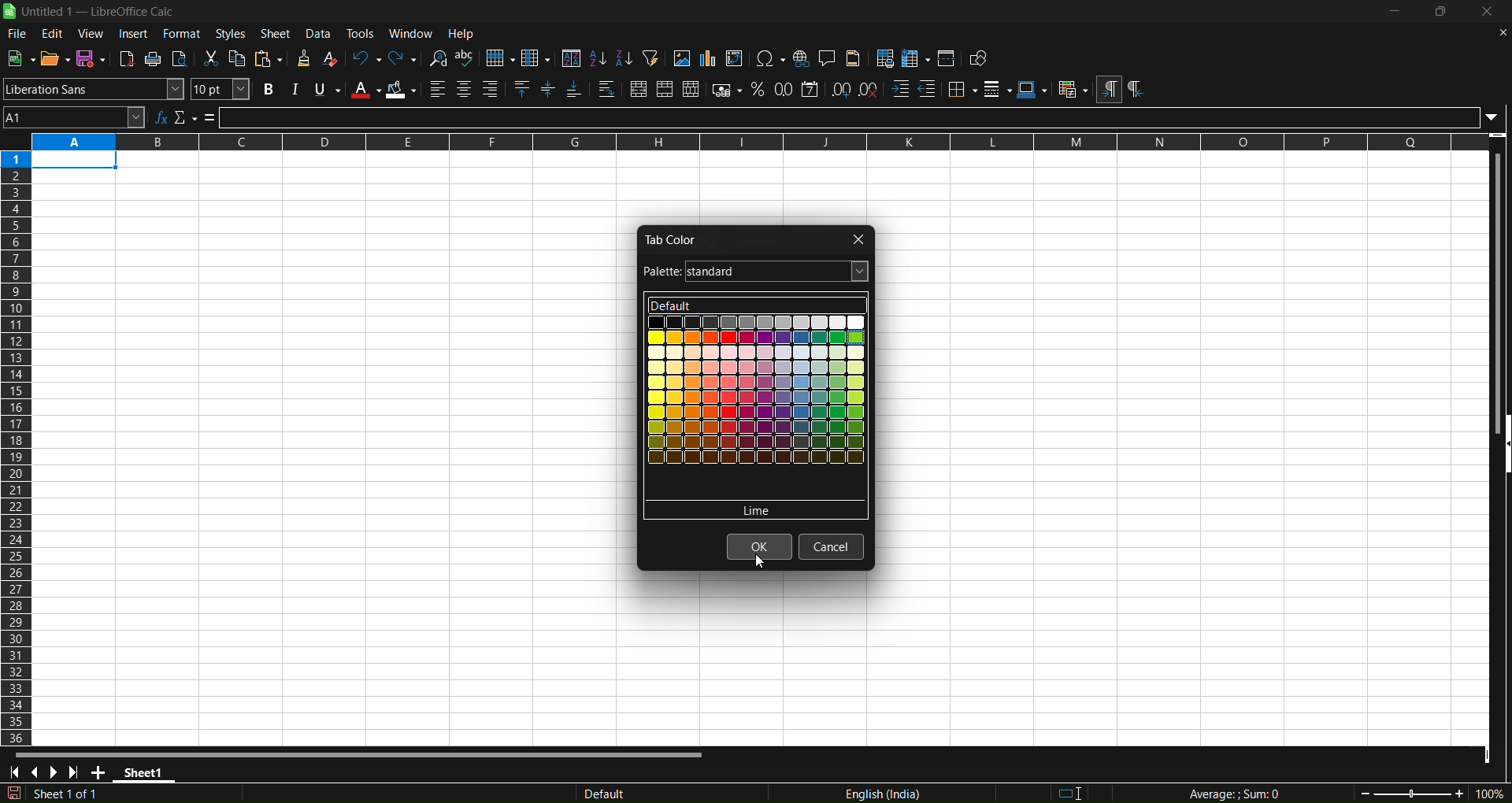  What do you see at coordinates (916, 58) in the screenshot?
I see `freeze rows and columns` at bounding box center [916, 58].